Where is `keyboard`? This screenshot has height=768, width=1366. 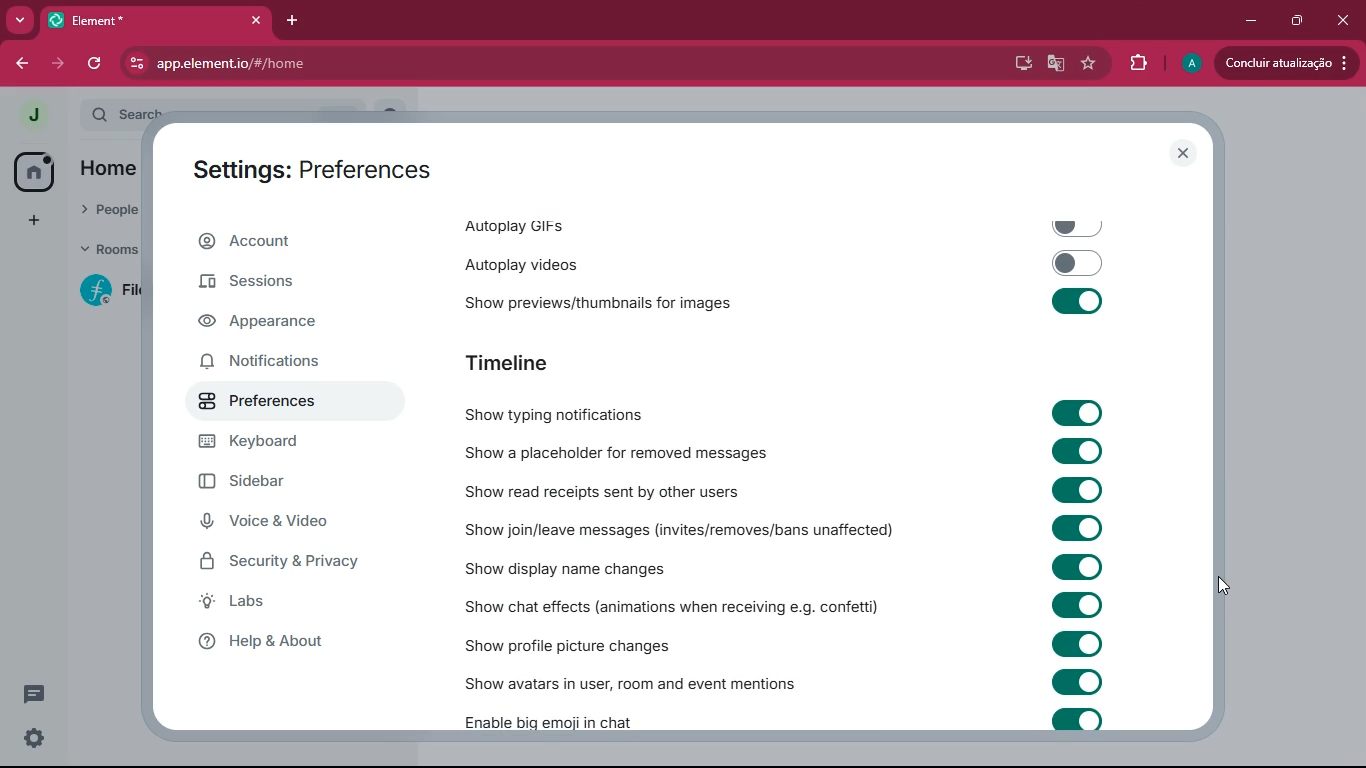 keyboard is located at coordinates (280, 445).